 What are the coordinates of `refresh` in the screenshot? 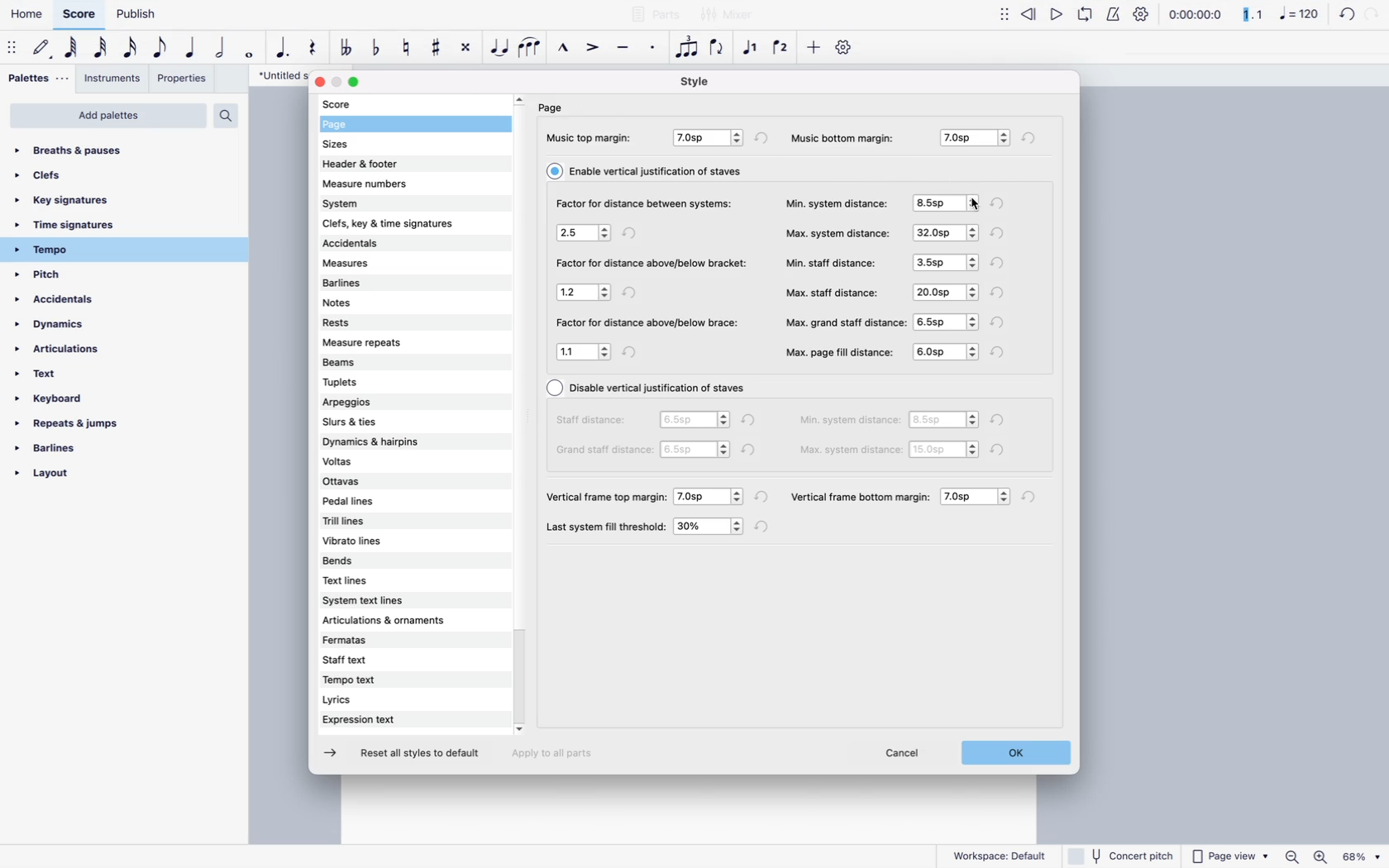 It's located at (1001, 420).